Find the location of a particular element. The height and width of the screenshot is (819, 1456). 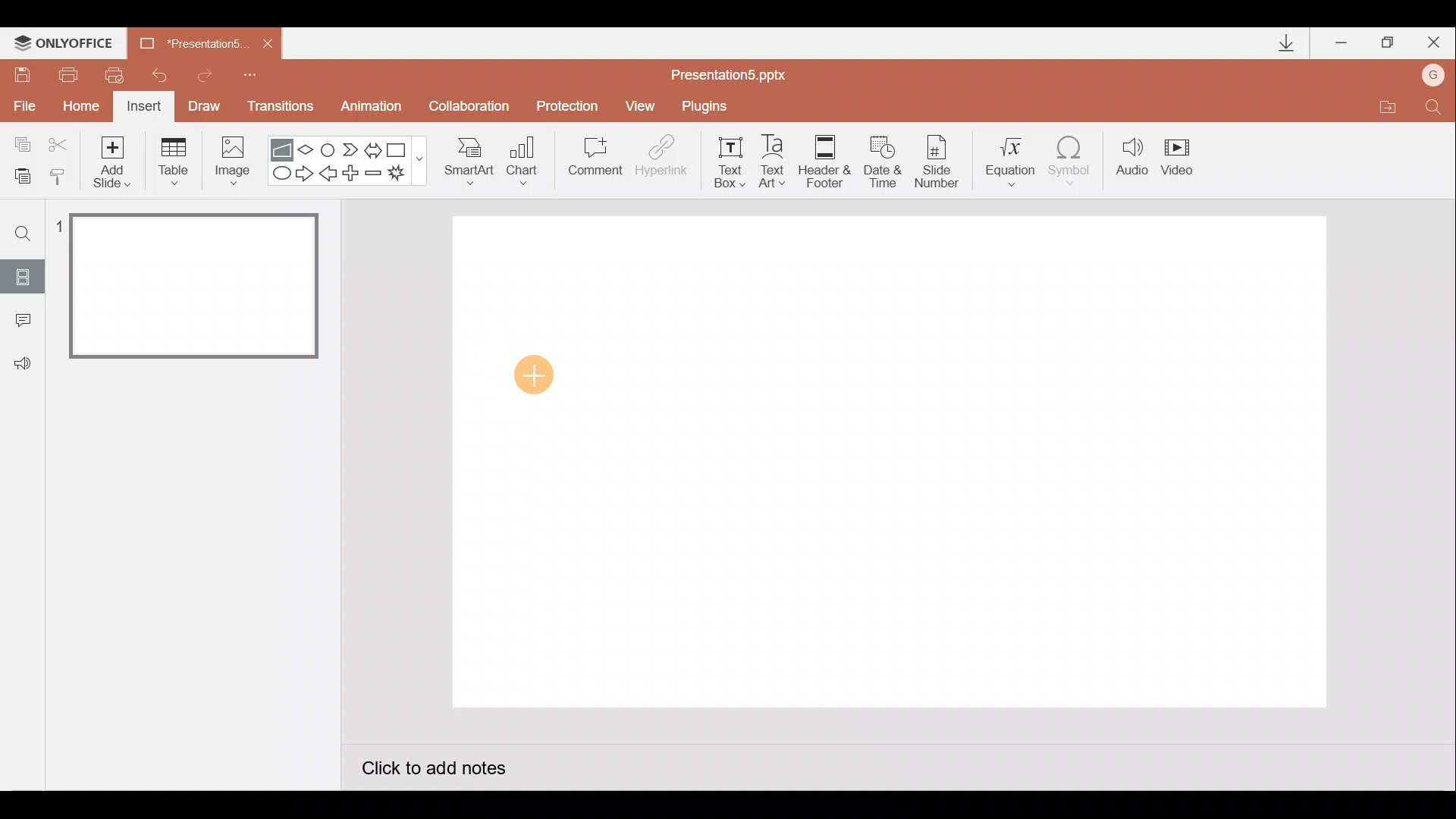

Comment is located at coordinates (593, 162).